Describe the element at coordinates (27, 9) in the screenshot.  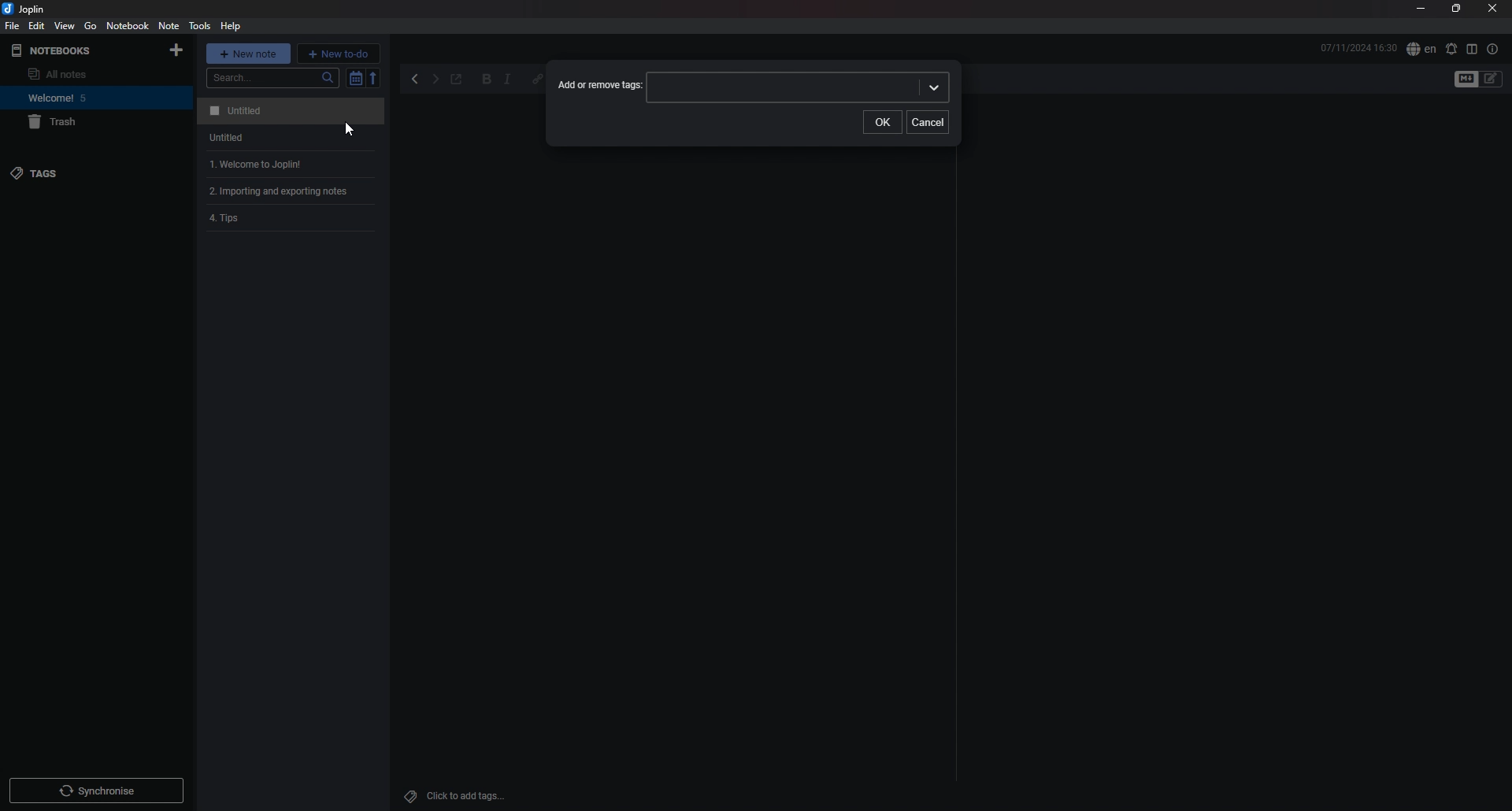
I see `joplin` at that location.